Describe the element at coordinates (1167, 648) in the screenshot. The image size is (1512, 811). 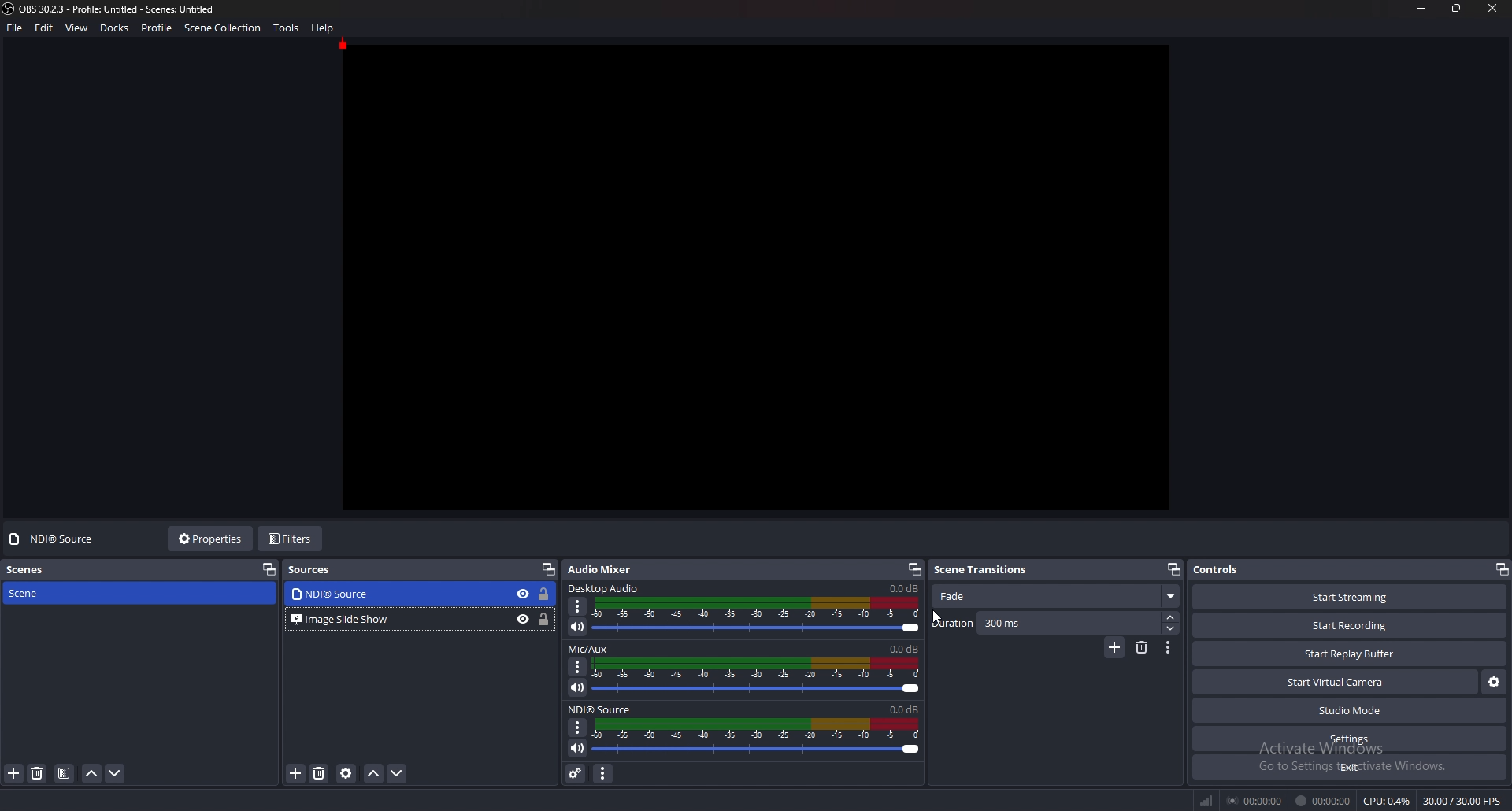
I see `transition properties` at that location.